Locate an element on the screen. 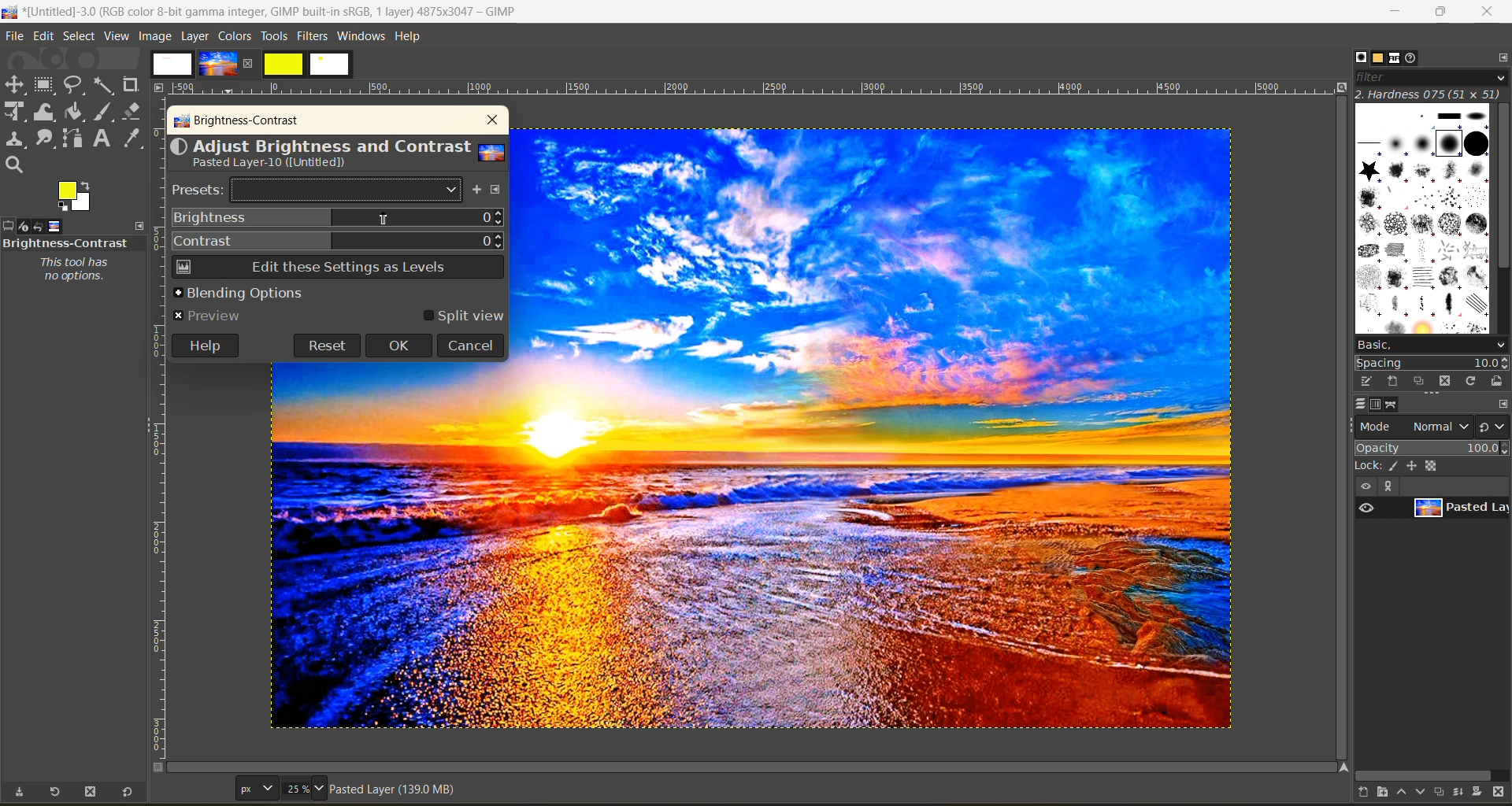  duplicate brush is located at coordinates (1421, 382).